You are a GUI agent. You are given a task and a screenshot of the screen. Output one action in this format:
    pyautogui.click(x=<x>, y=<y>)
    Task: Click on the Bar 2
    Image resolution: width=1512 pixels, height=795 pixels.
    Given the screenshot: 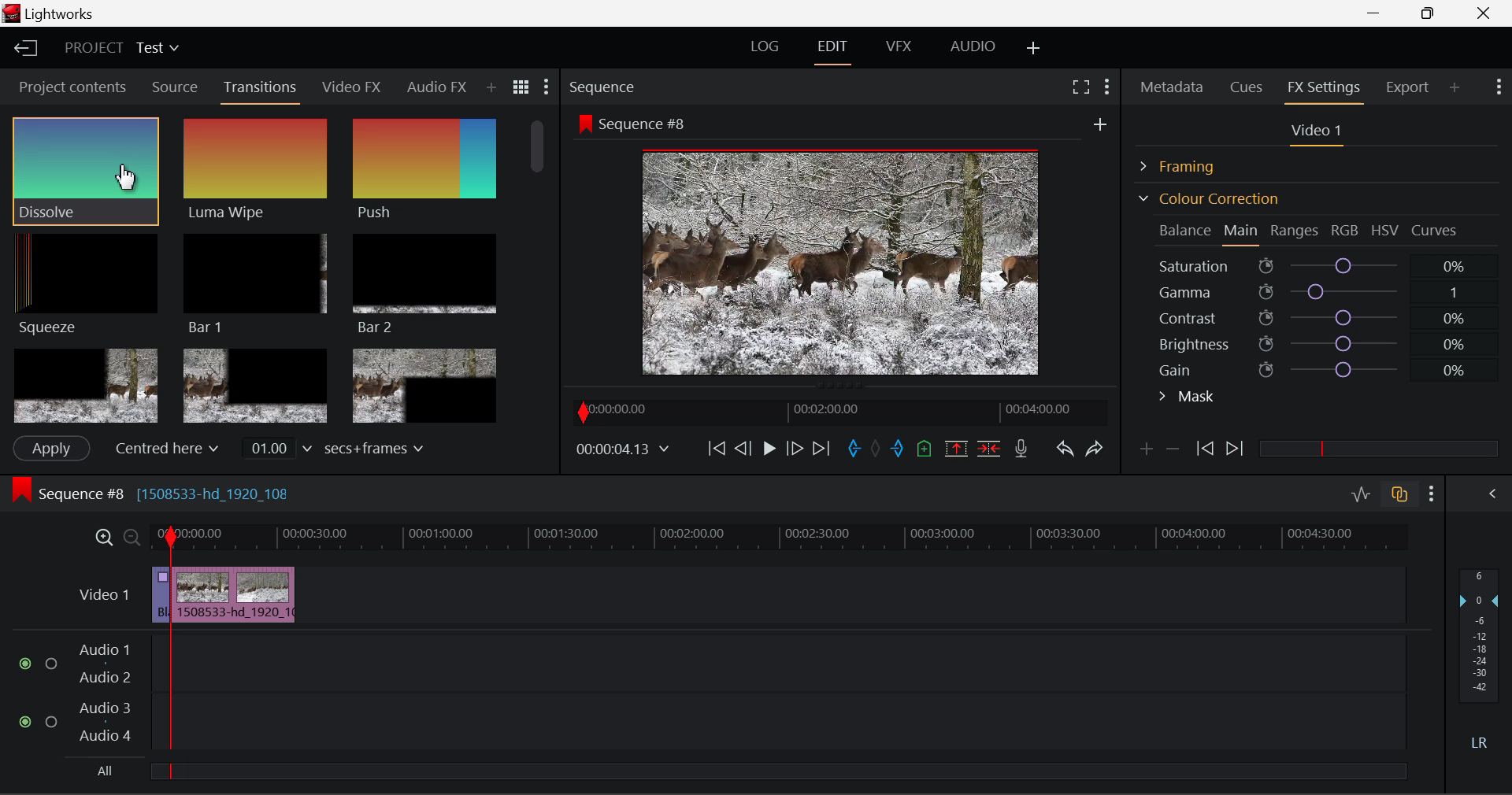 What is the action you would take?
    pyautogui.click(x=424, y=284)
    